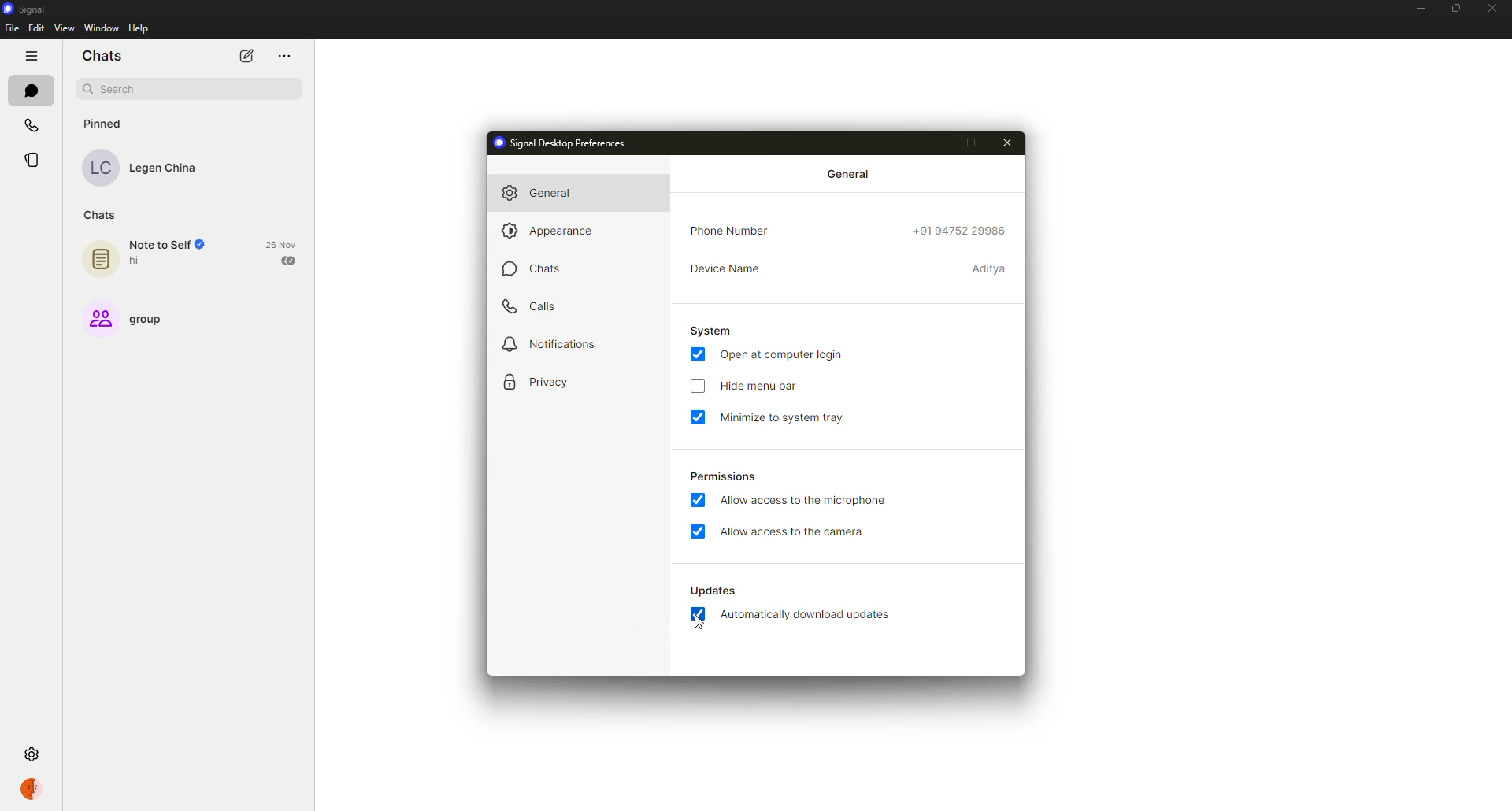 This screenshot has width=1512, height=811. Describe the element at coordinates (969, 143) in the screenshot. I see `maximize` at that location.